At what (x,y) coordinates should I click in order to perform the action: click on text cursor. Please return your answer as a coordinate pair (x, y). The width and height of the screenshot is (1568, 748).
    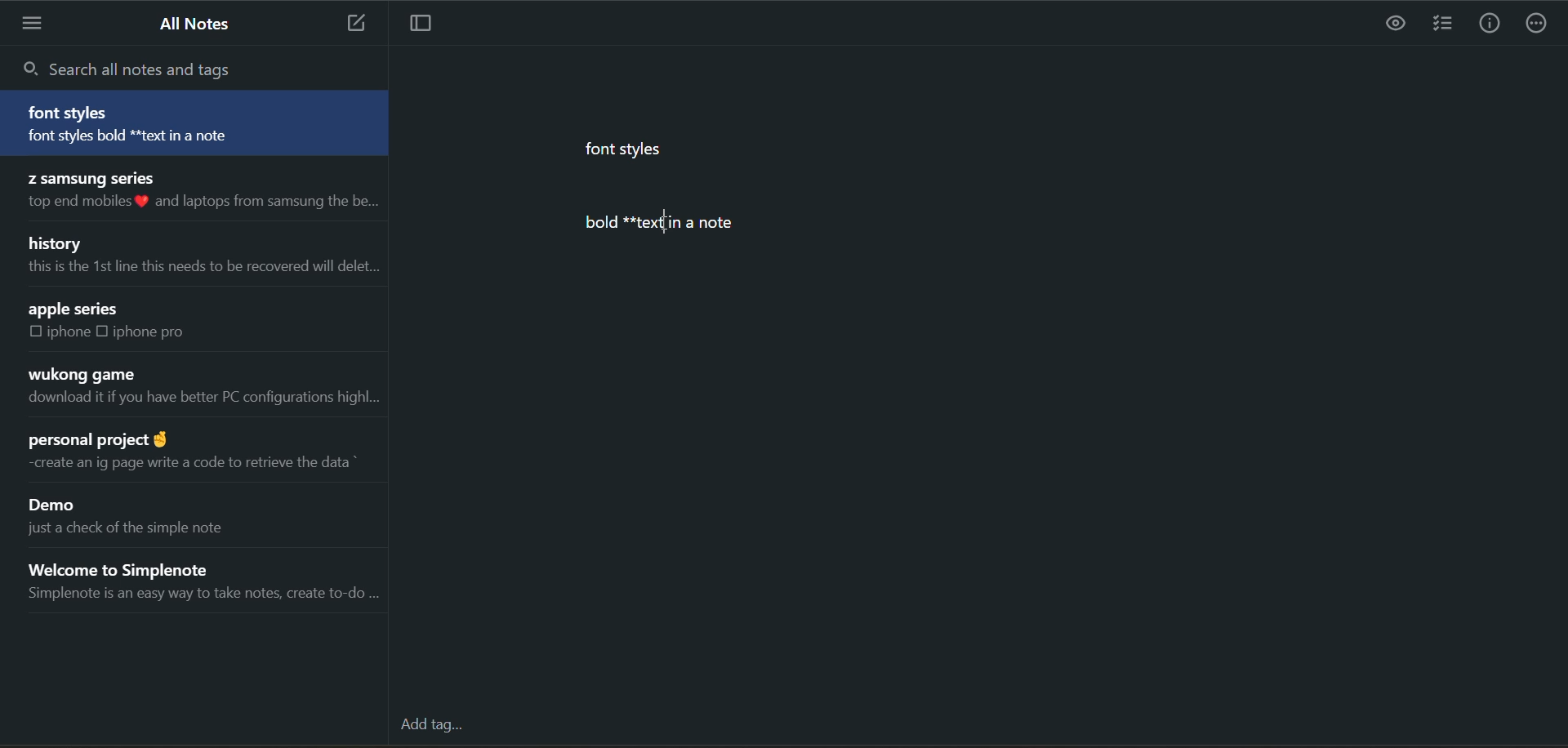
    Looking at the image, I should click on (666, 220).